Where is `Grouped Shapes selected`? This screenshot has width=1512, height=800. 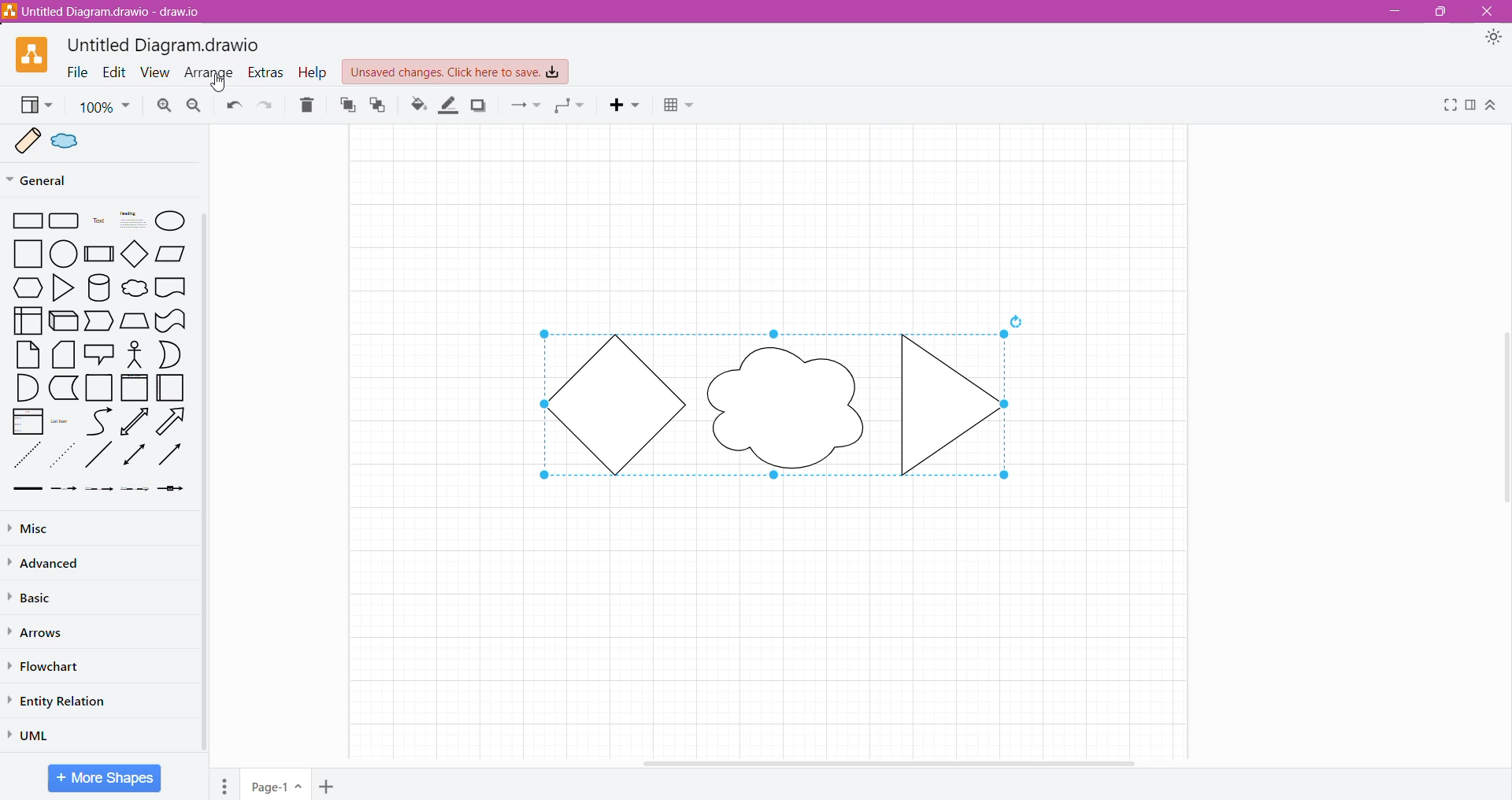
Grouped Shapes selected is located at coordinates (778, 403).